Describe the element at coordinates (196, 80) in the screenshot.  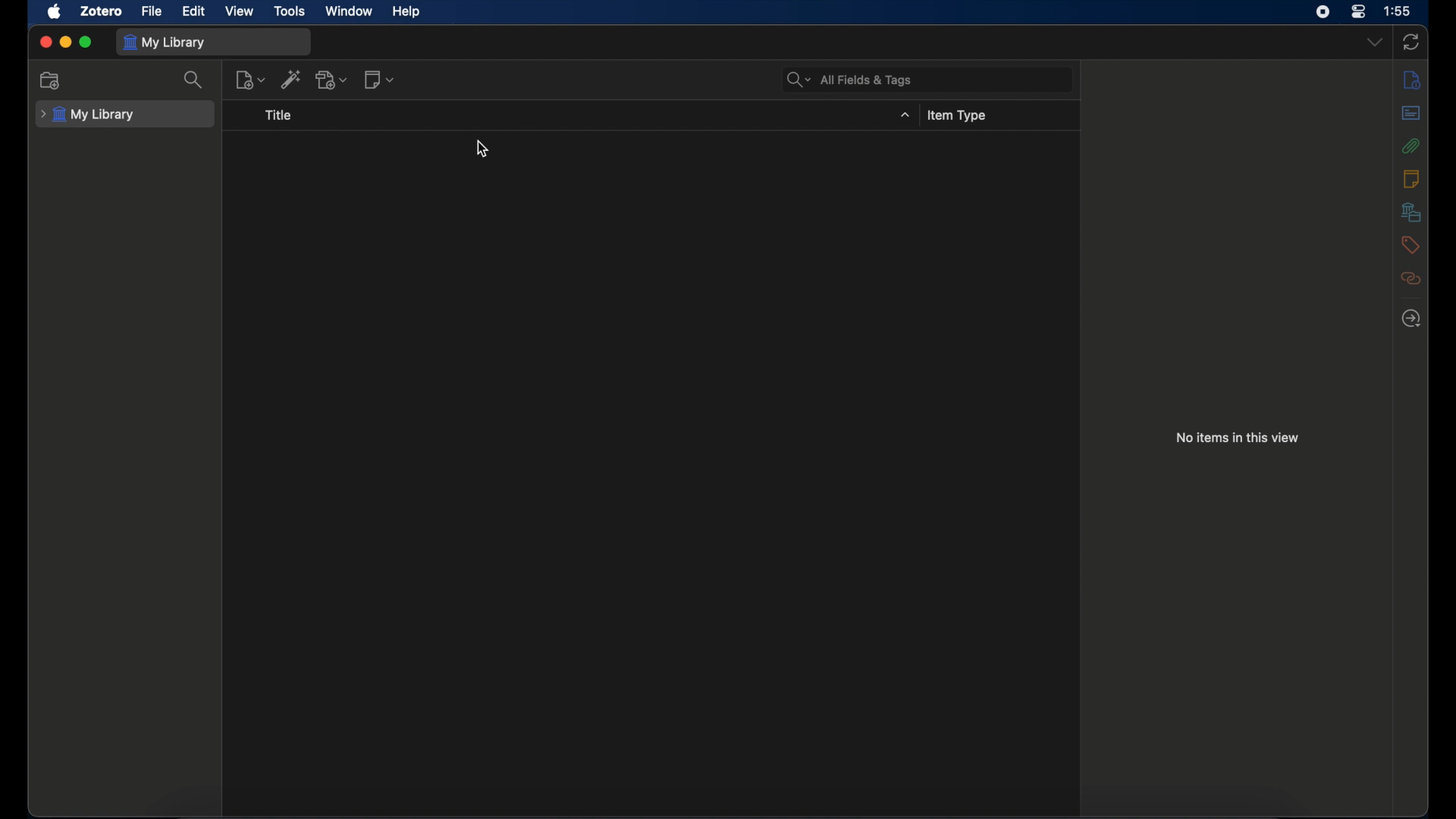
I see `search` at that location.